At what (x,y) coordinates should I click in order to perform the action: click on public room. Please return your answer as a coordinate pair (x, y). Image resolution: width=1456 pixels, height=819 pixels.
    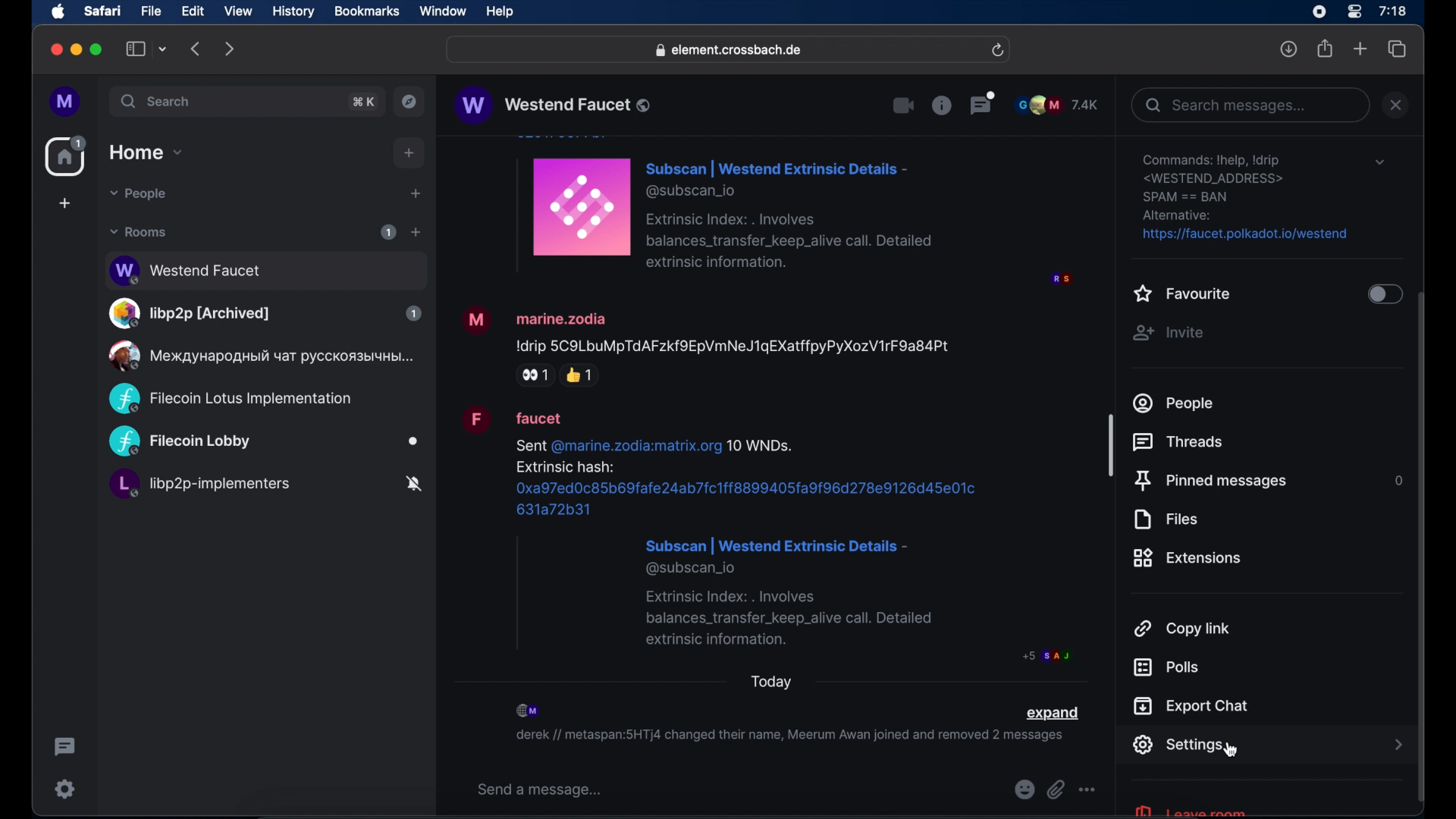
    Looking at the image, I should click on (259, 356).